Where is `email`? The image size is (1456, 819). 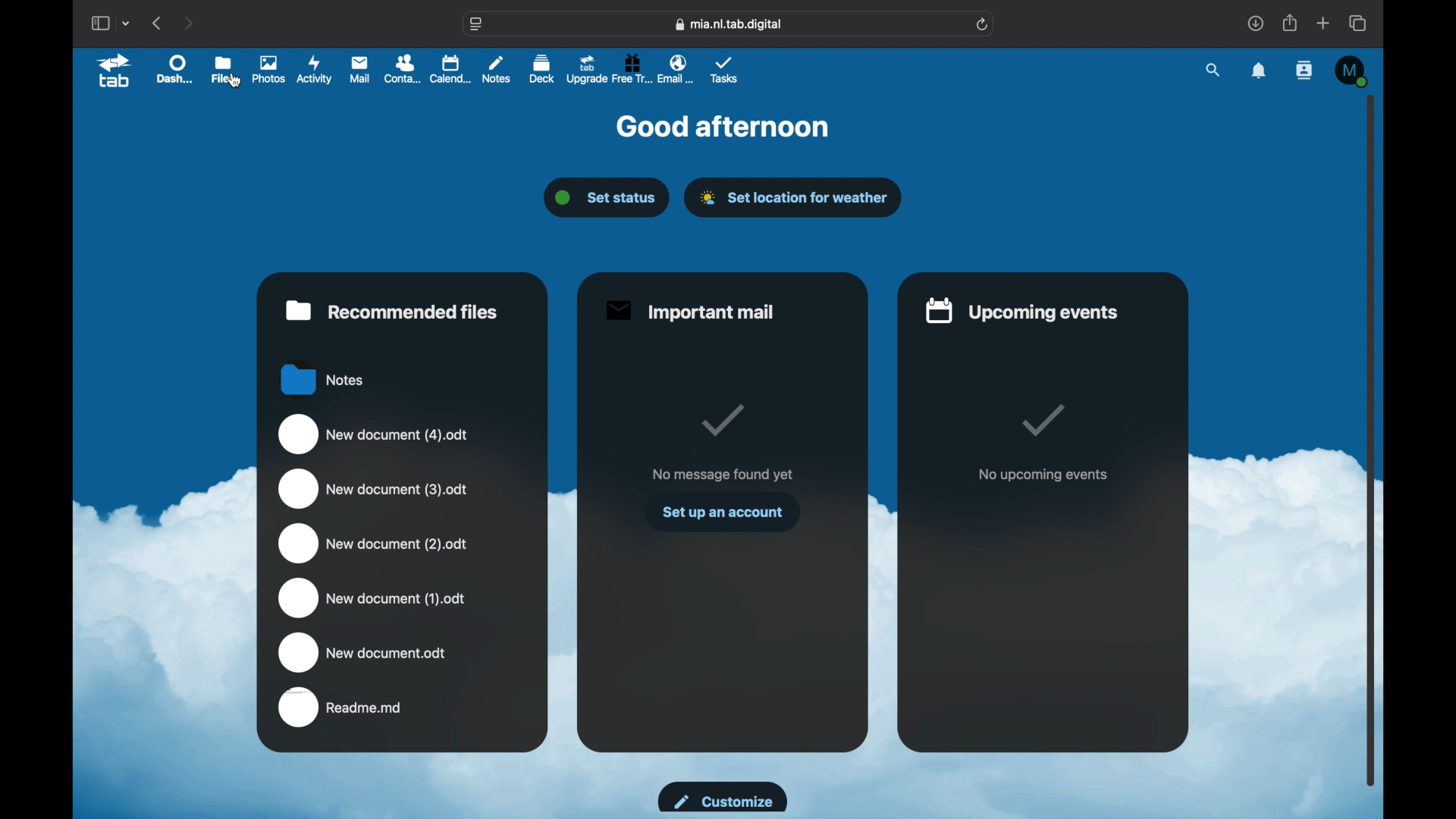 email is located at coordinates (678, 68).